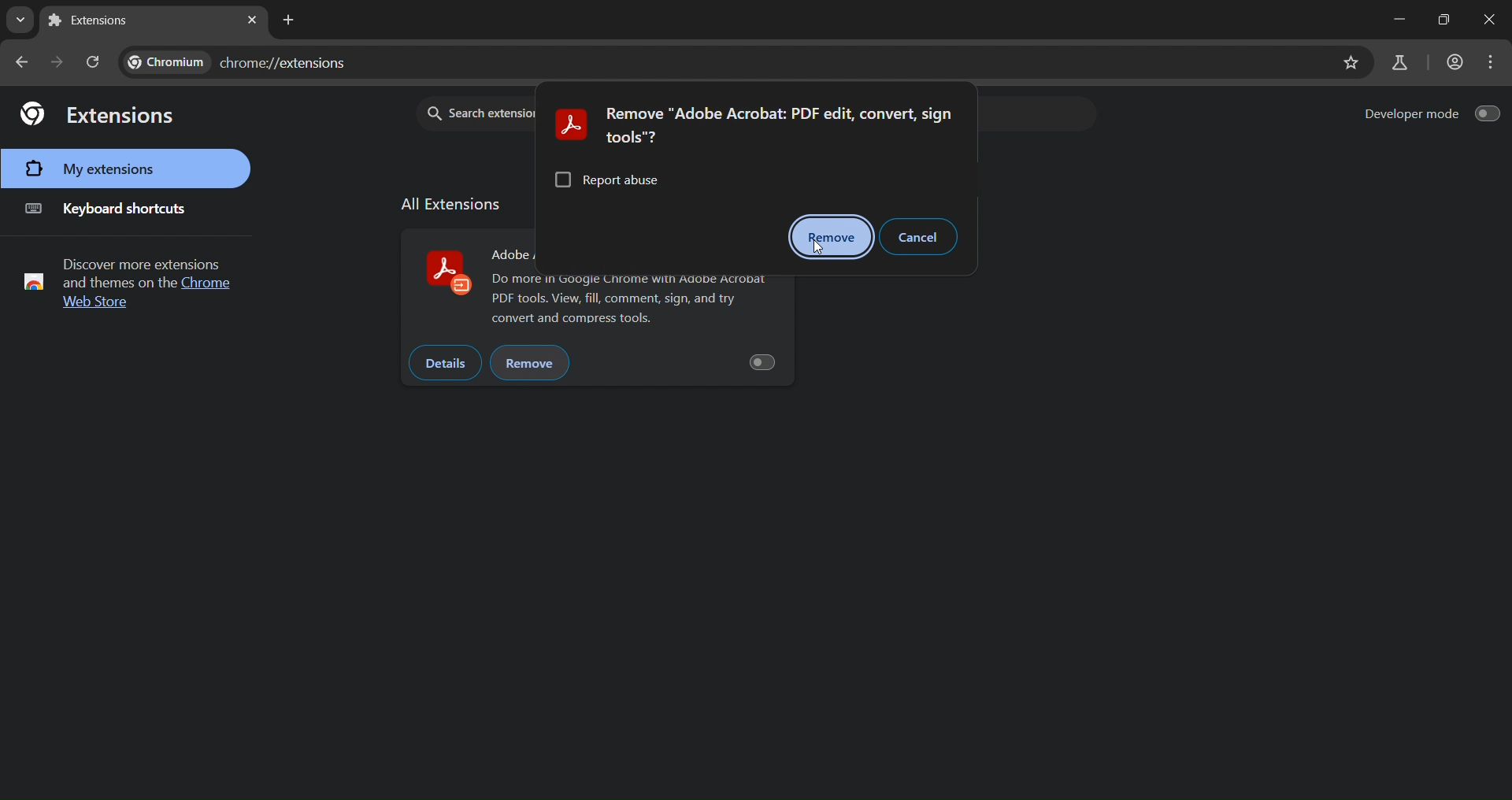  I want to click on text, so click(755, 121).